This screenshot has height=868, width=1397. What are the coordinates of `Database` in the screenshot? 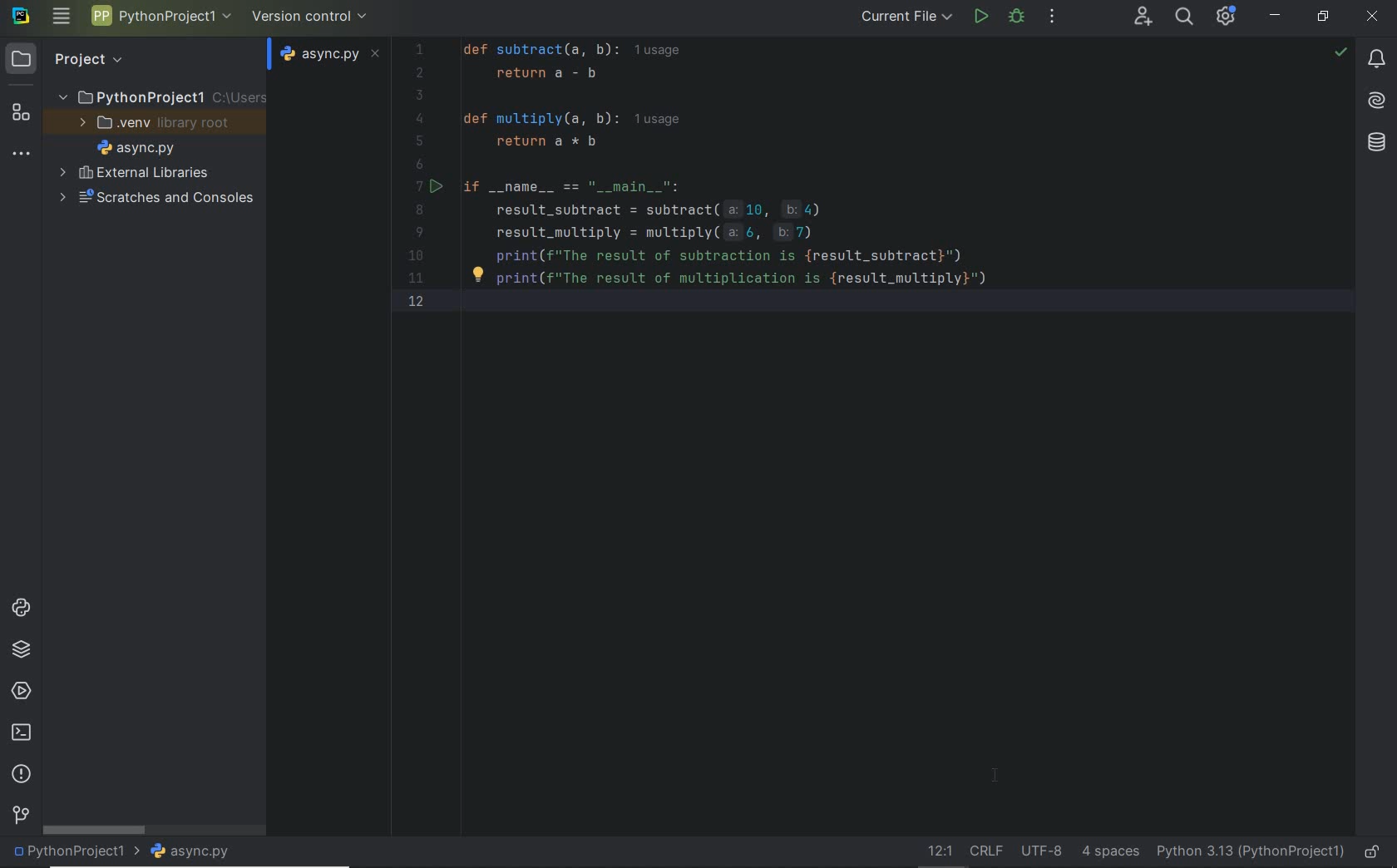 It's located at (1376, 141).